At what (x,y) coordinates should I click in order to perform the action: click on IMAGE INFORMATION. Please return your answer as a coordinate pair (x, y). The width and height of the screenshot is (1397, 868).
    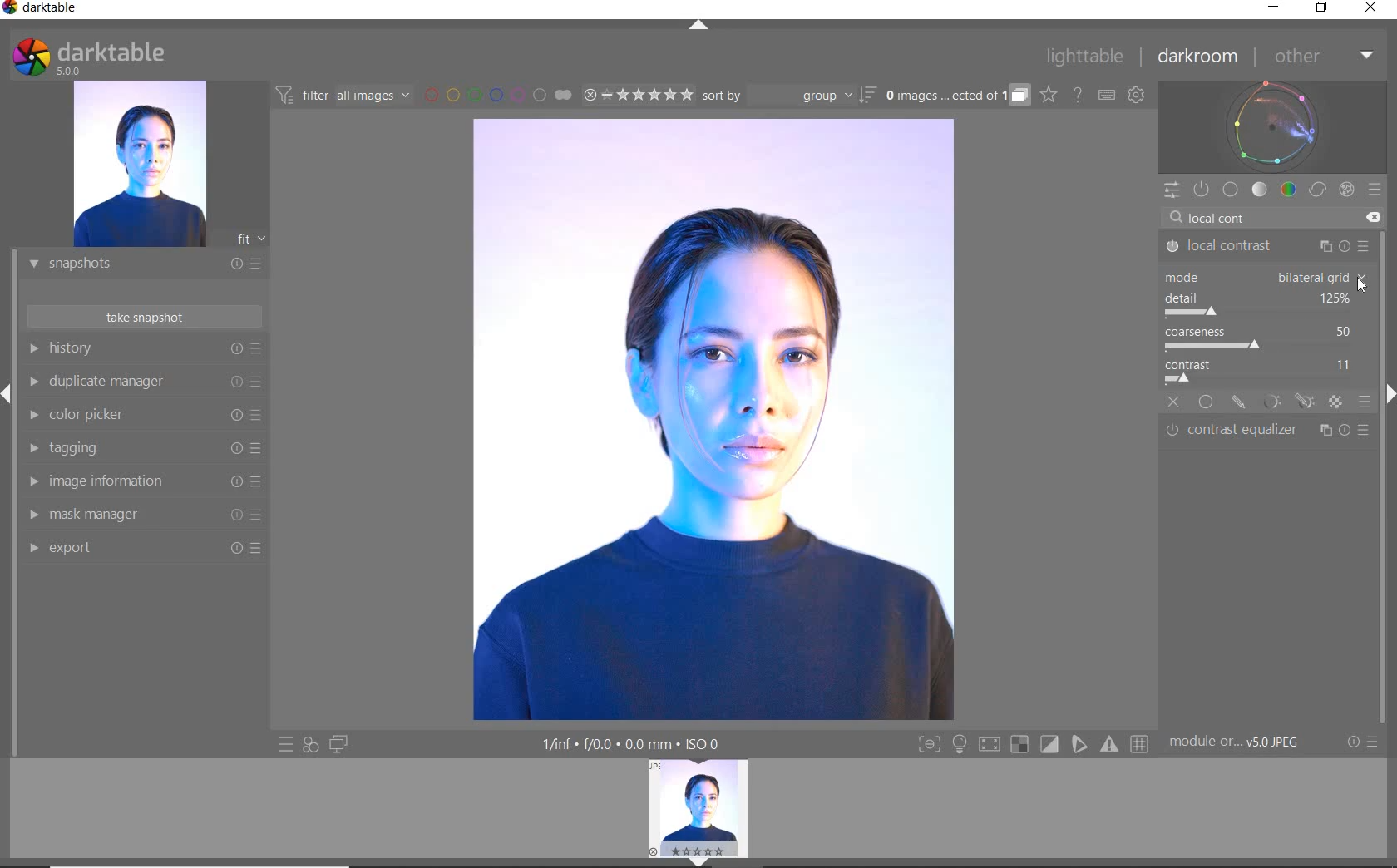
    Looking at the image, I should click on (139, 486).